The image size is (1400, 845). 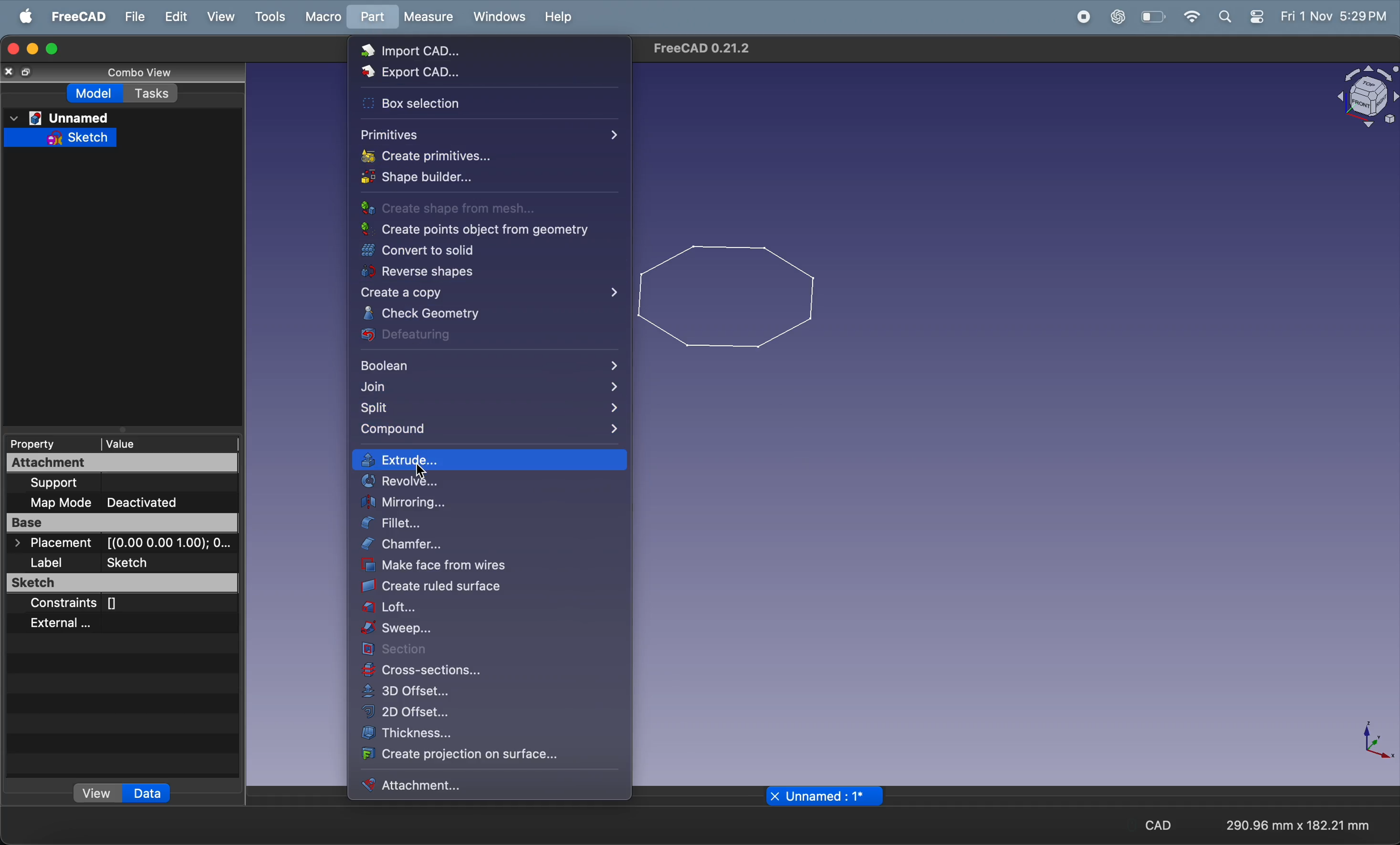 I want to click on minimize, so click(x=34, y=51).